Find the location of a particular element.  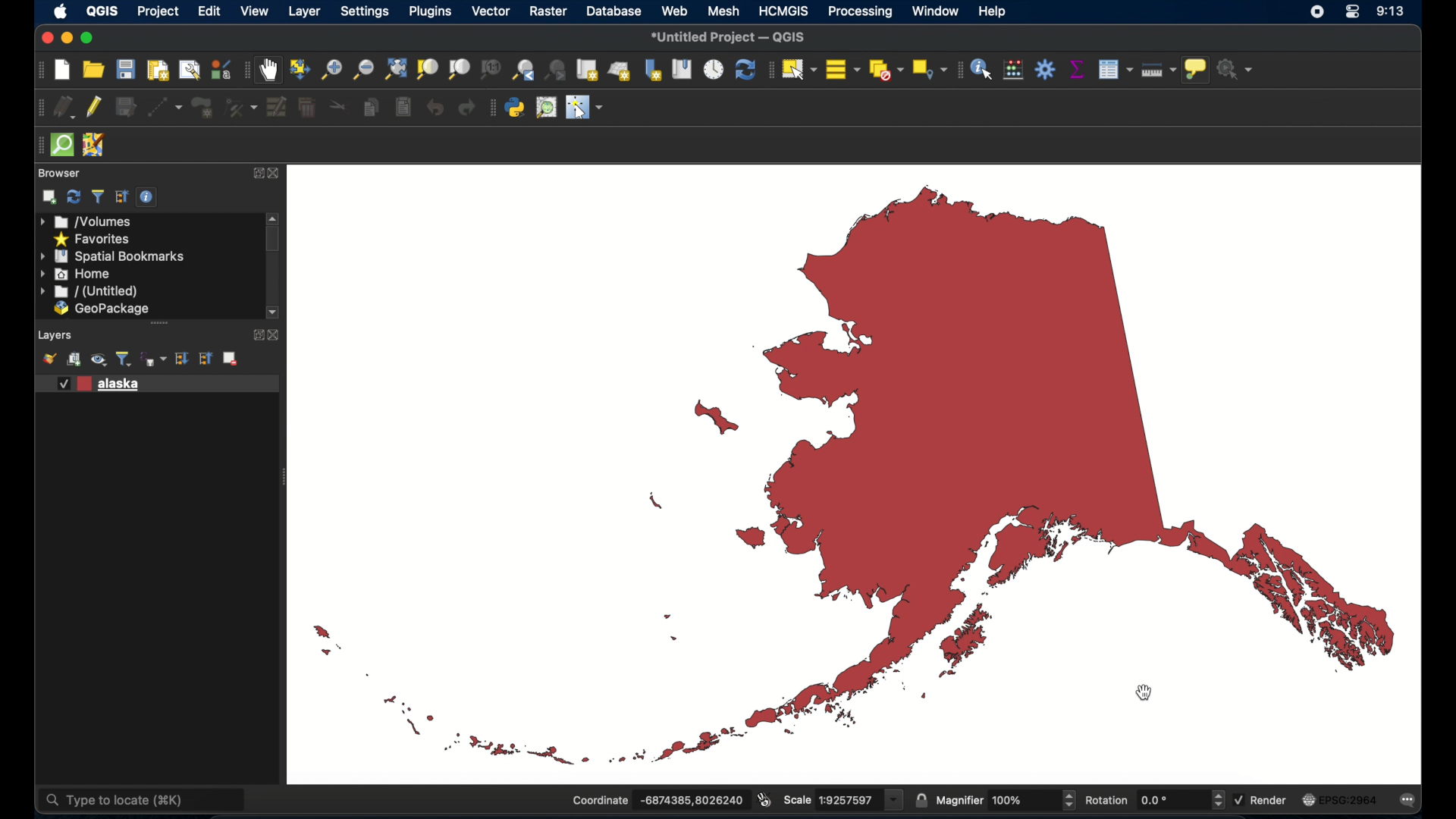

filter legend is located at coordinates (126, 359).